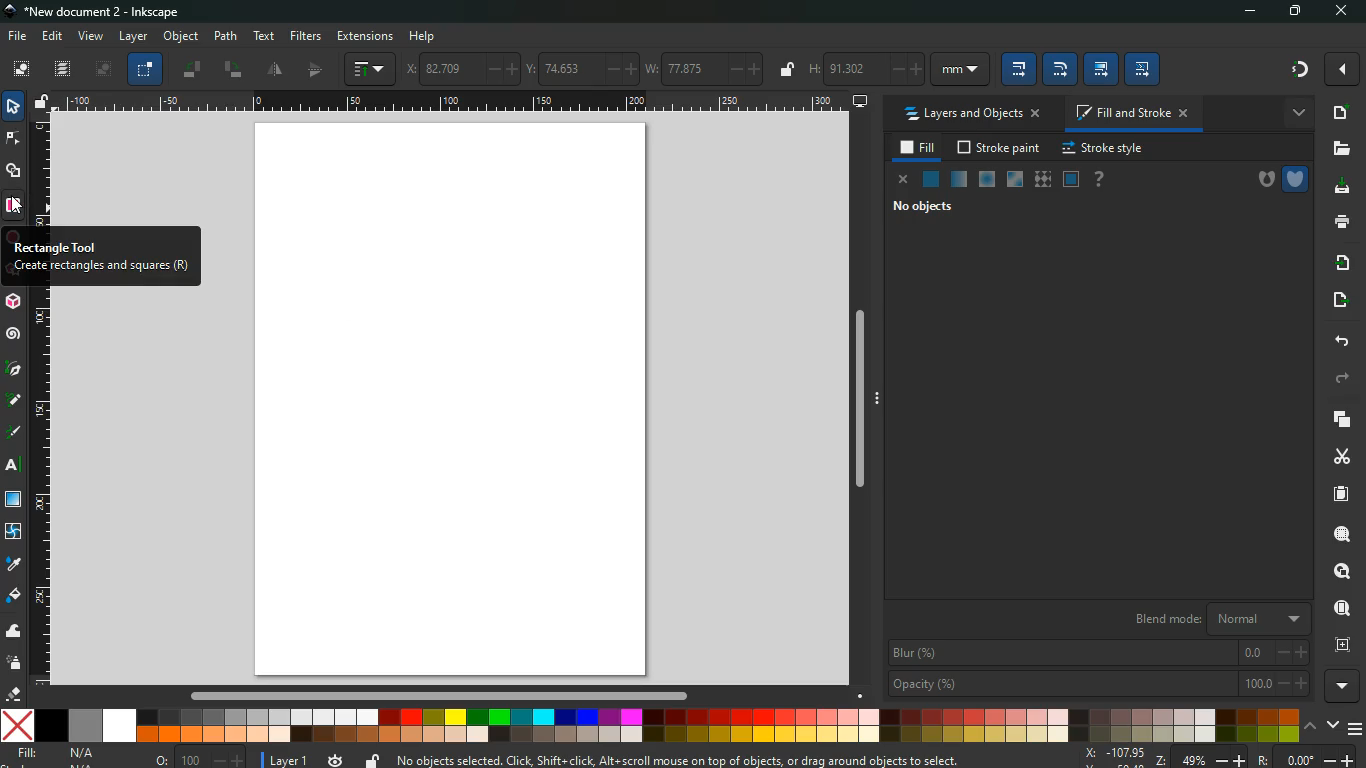  I want to click on w, so click(703, 69).